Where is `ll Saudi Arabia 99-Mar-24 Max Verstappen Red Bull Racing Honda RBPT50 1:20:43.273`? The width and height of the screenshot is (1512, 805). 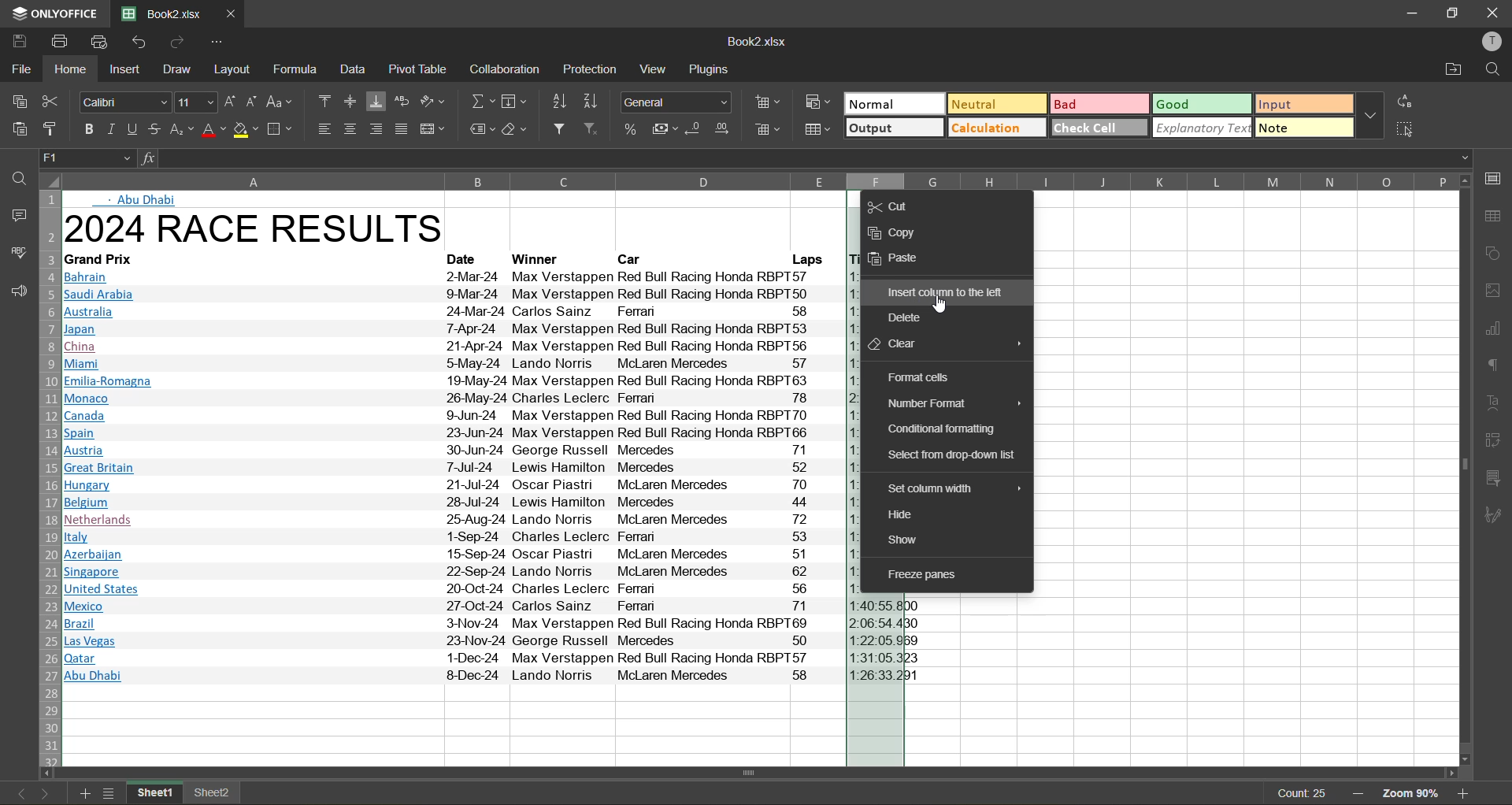 ll Saudi Arabia 99-Mar-24 Max Verstappen Red Bull Racing Honda RBPT50 1:20:43.273 is located at coordinates (454, 294).